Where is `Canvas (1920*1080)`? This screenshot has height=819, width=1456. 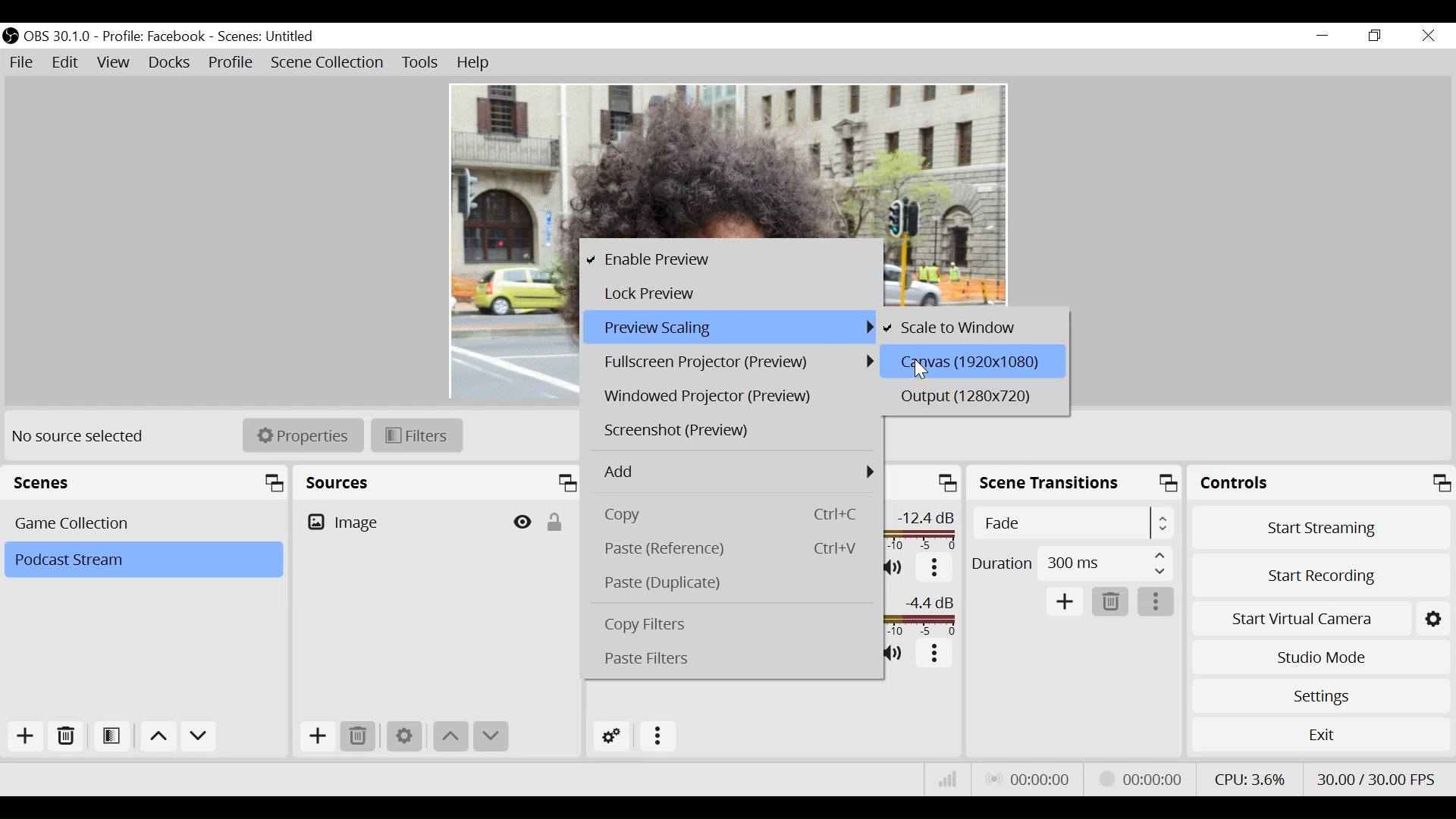
Canvas (1920*1080) is located at coordinates (971, 361).